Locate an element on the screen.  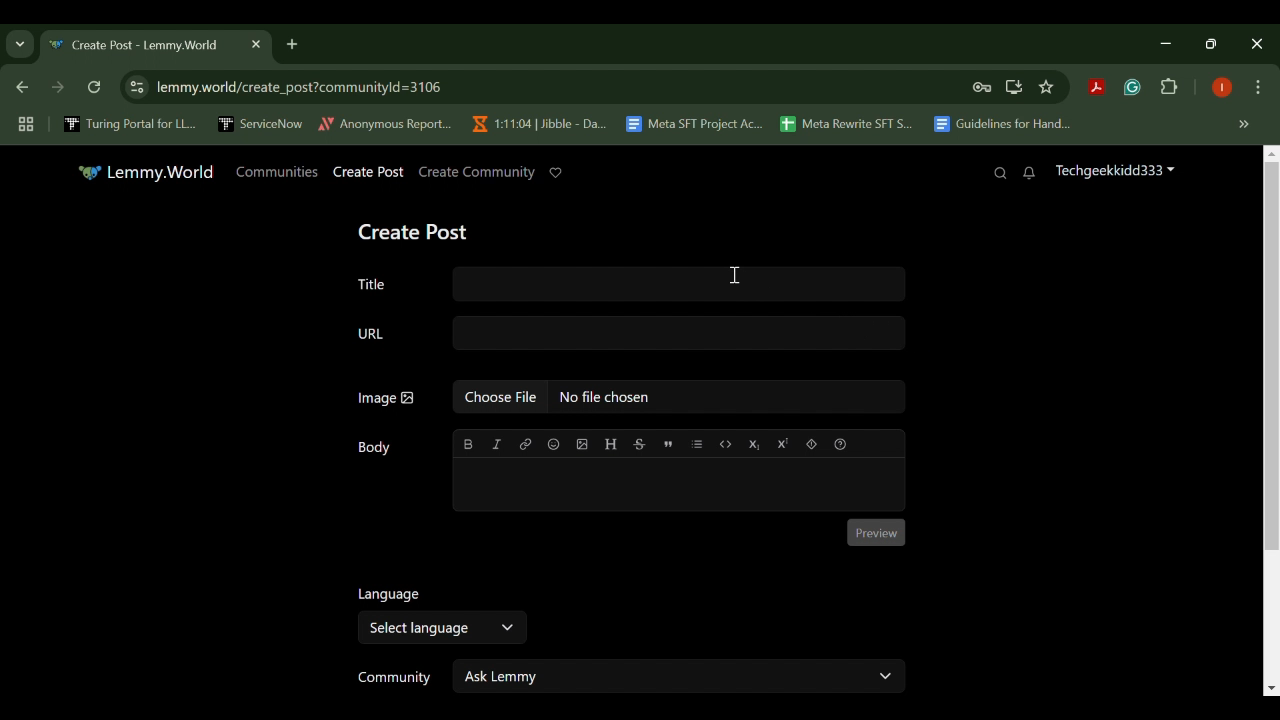
Refresh Webpage is located at coordinates (96, 89).